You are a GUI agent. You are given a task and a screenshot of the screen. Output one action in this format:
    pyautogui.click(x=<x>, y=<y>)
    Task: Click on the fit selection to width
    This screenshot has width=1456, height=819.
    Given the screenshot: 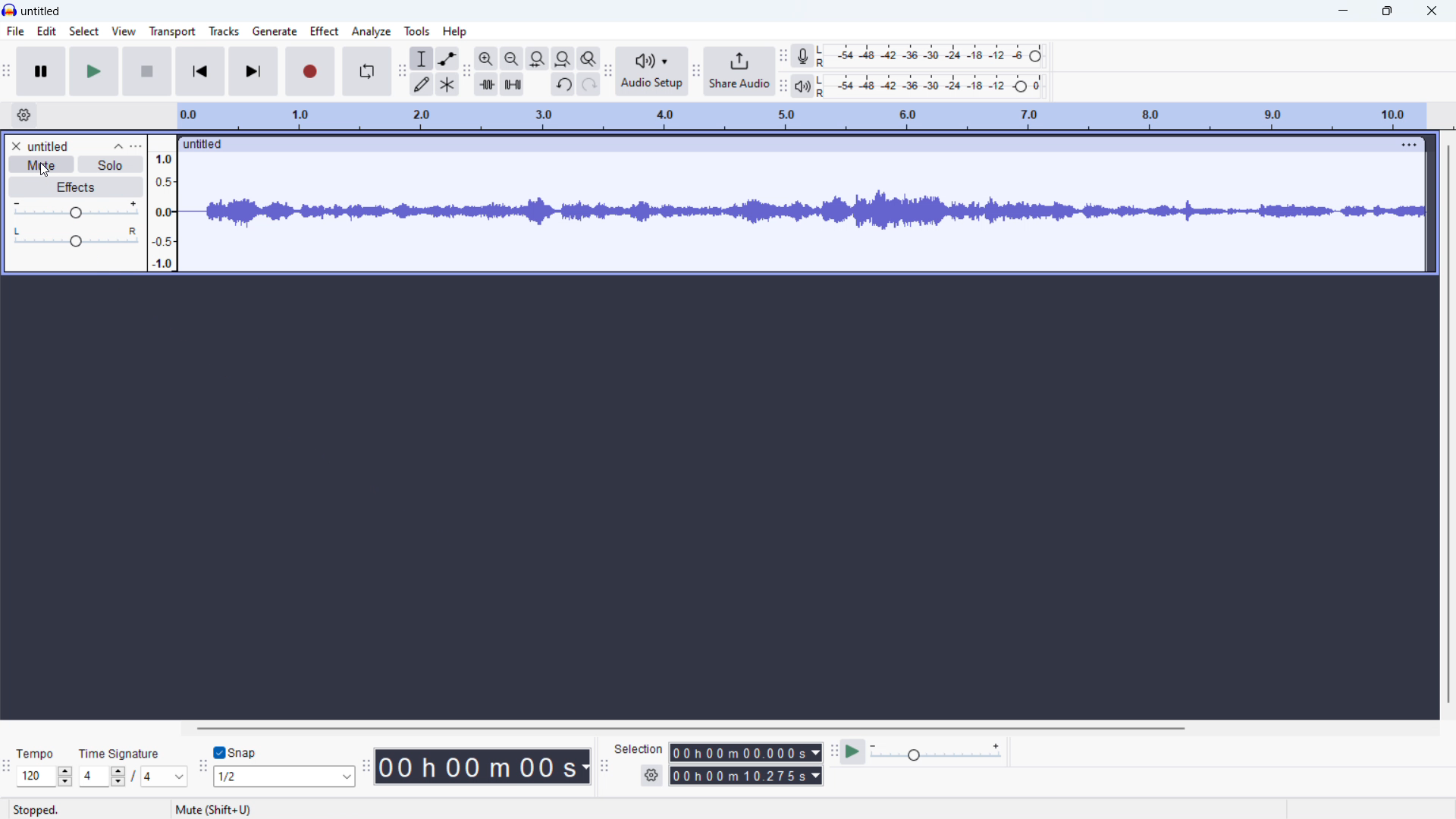 What is the action you would take?
    pyautogui.click(x=538, y=59)
    